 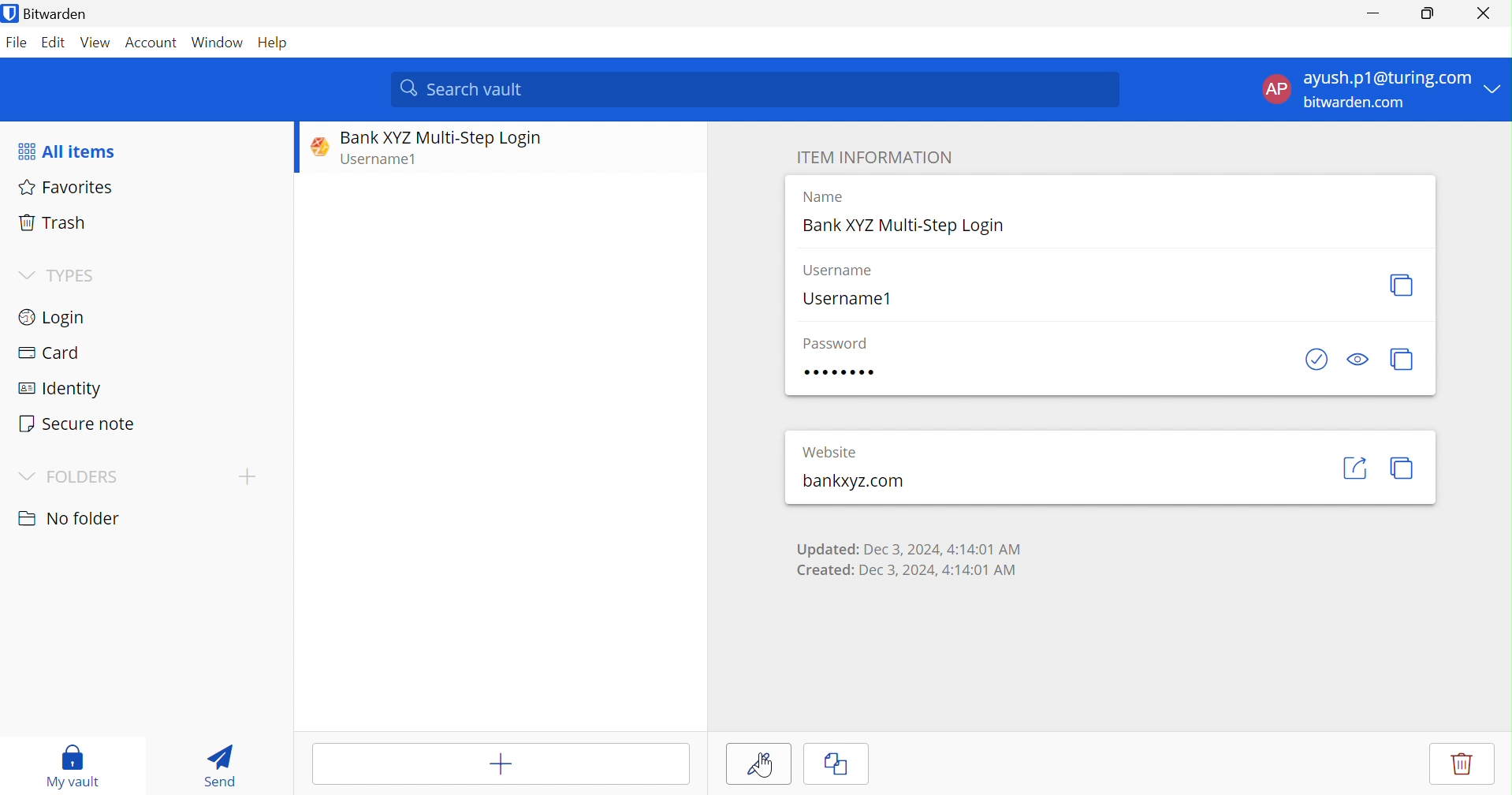 I want to click on ITEM INFORMATION, so click(x=875, y=159).